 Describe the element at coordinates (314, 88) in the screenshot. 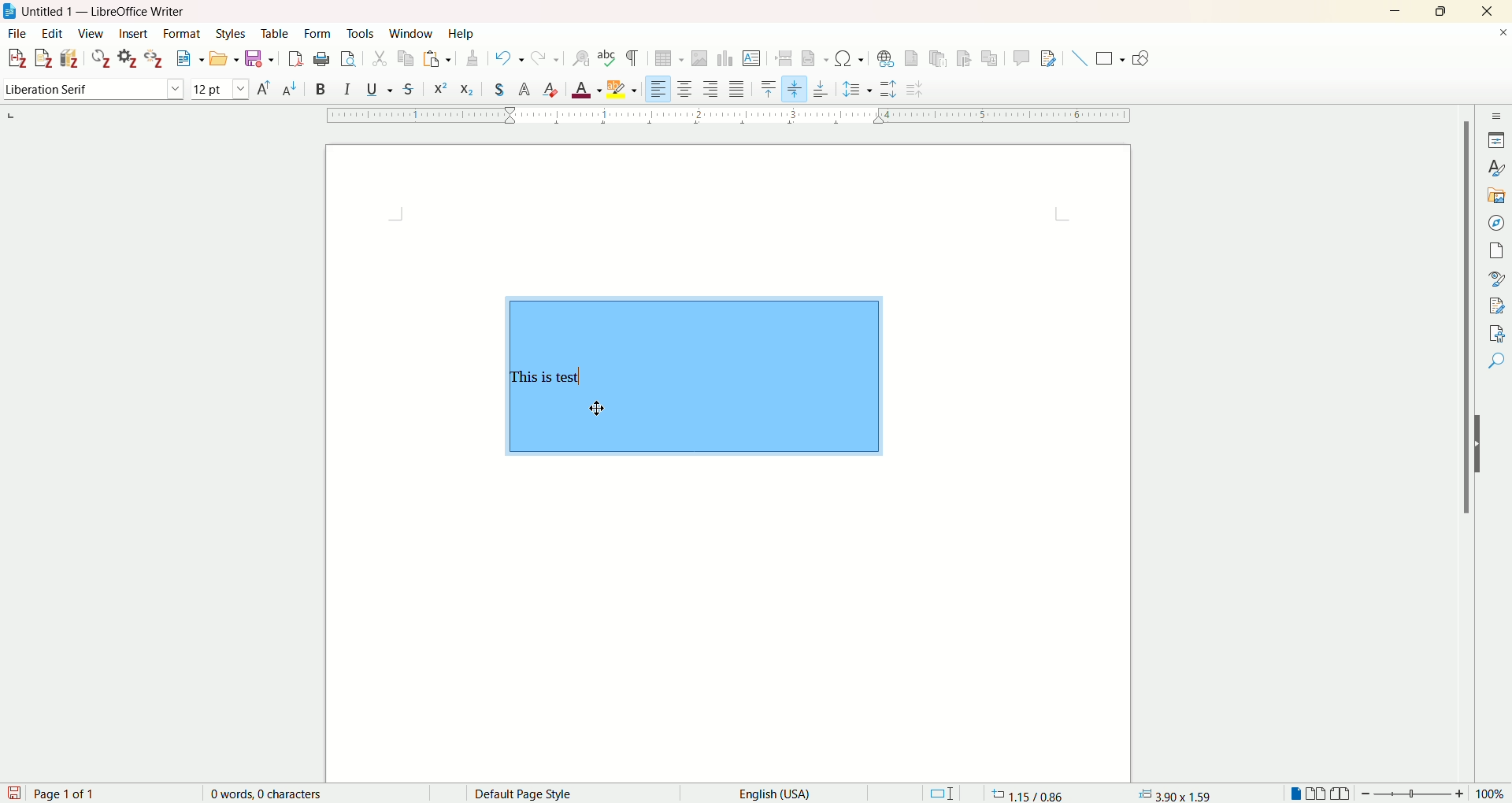

I see `back one` at that location.